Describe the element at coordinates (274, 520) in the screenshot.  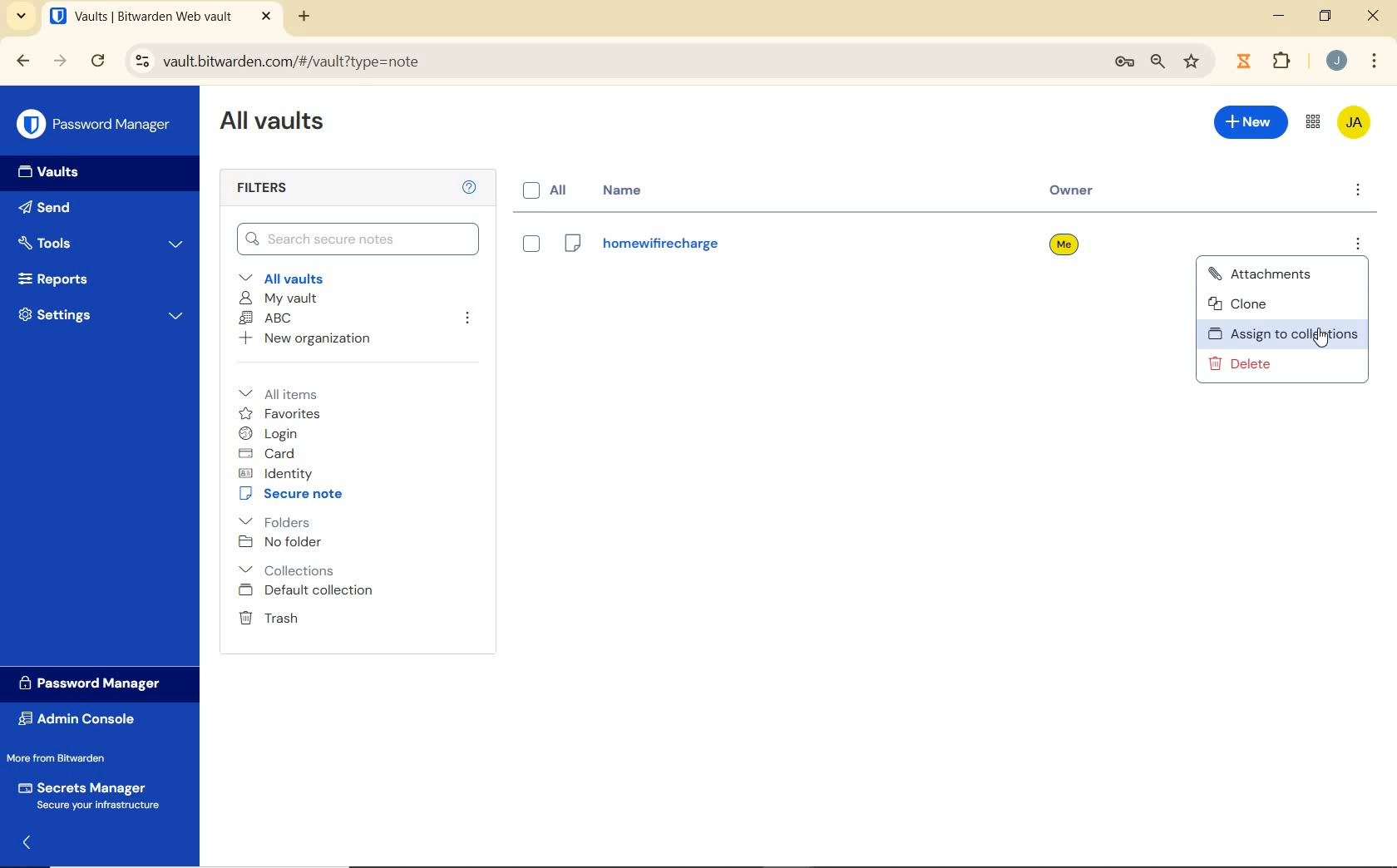
I see `folders` at that location.